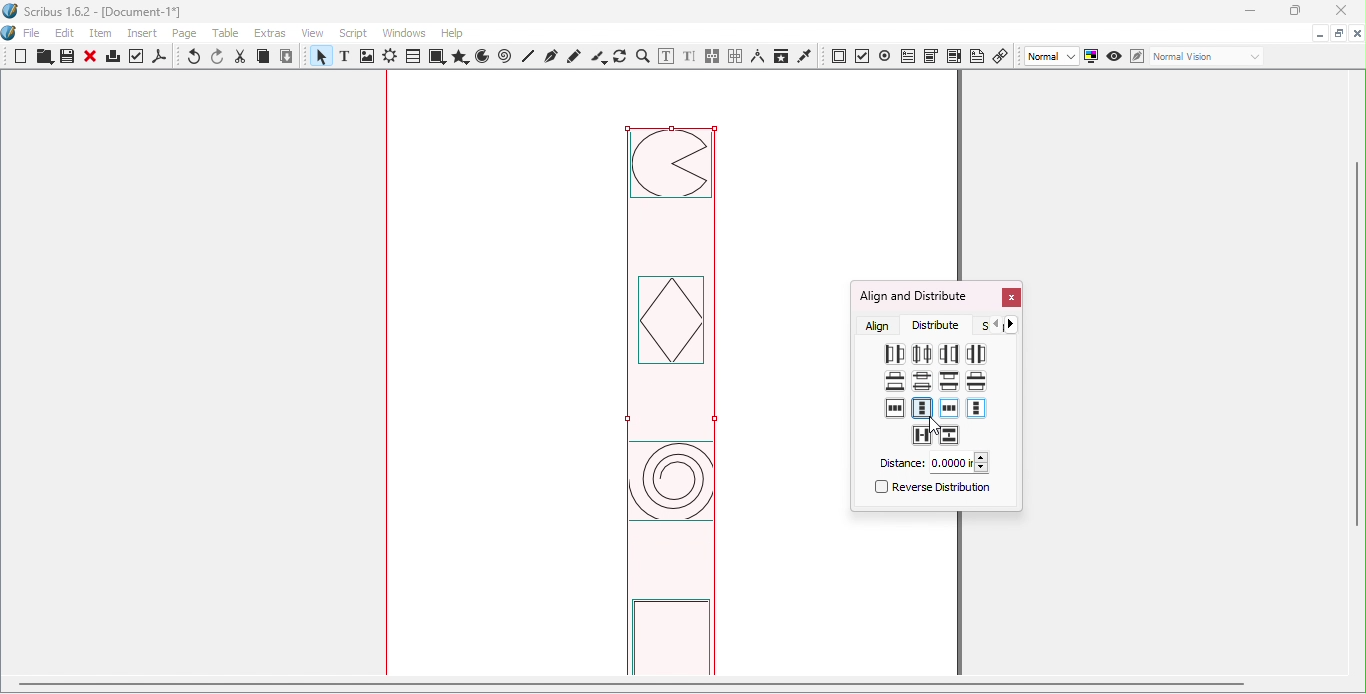  I want to click on Edit in Preview mode, so click(1136, 55).